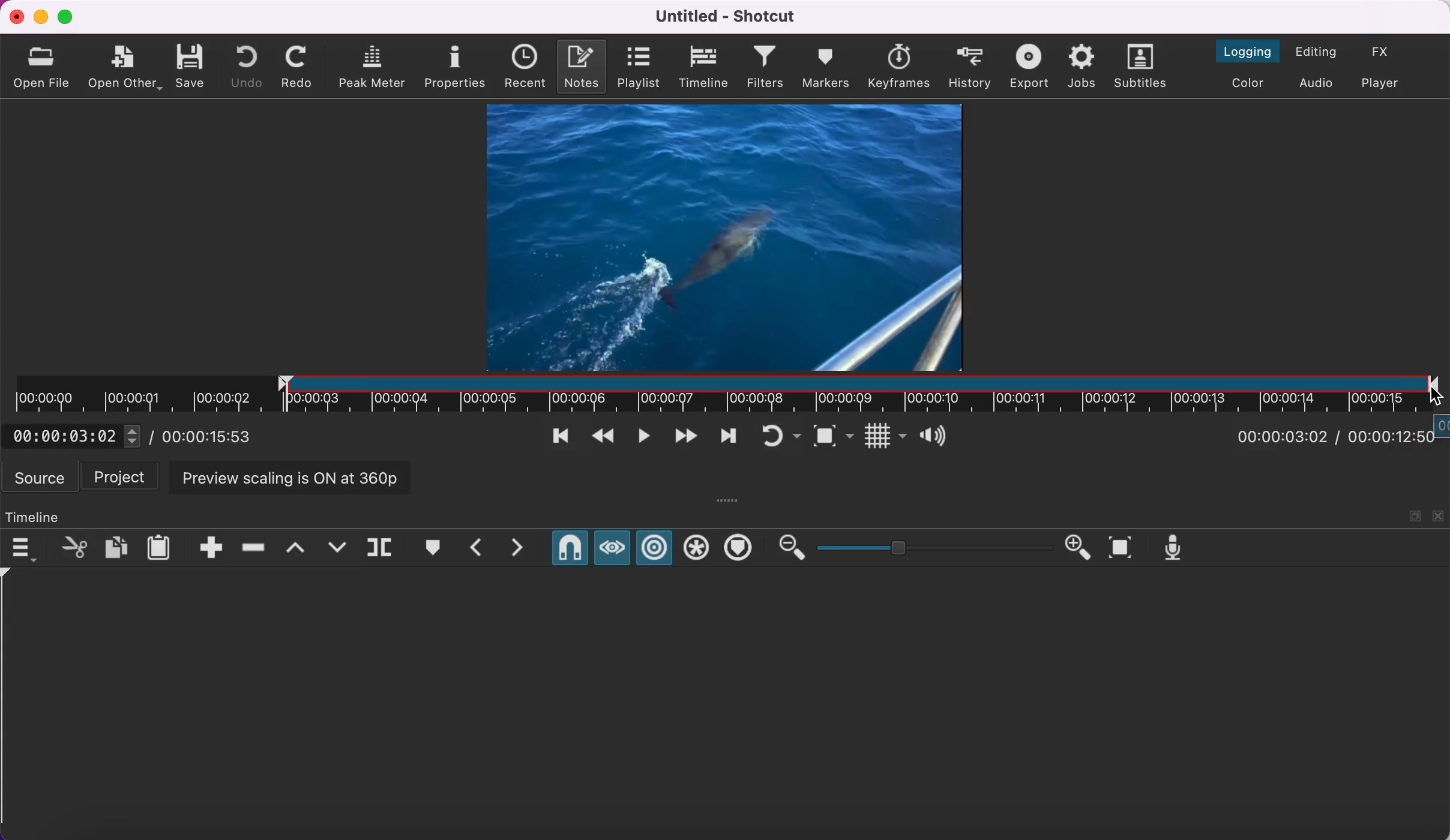  What do you see at coordinates (14, 16) in the screenshot?
I see `close` at bounding box center [14, 16].